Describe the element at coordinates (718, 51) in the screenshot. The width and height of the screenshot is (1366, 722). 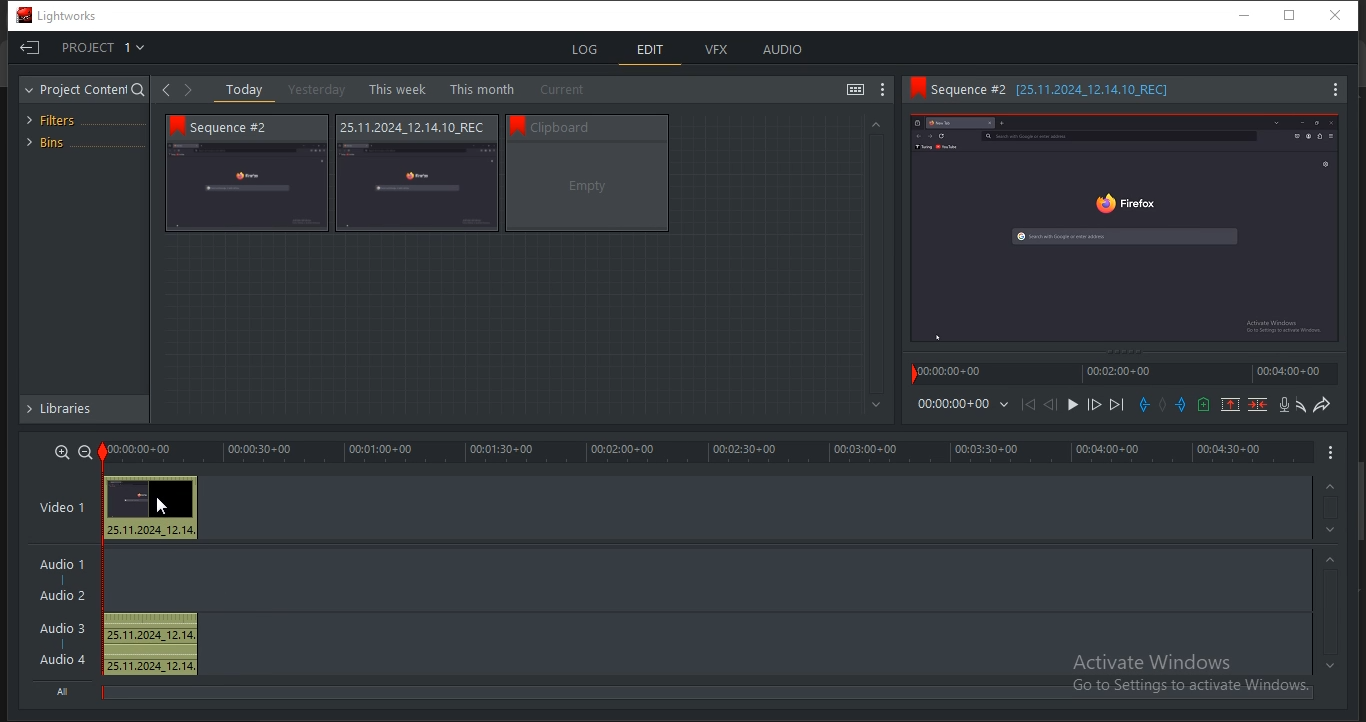
I see `vfx` at that location.